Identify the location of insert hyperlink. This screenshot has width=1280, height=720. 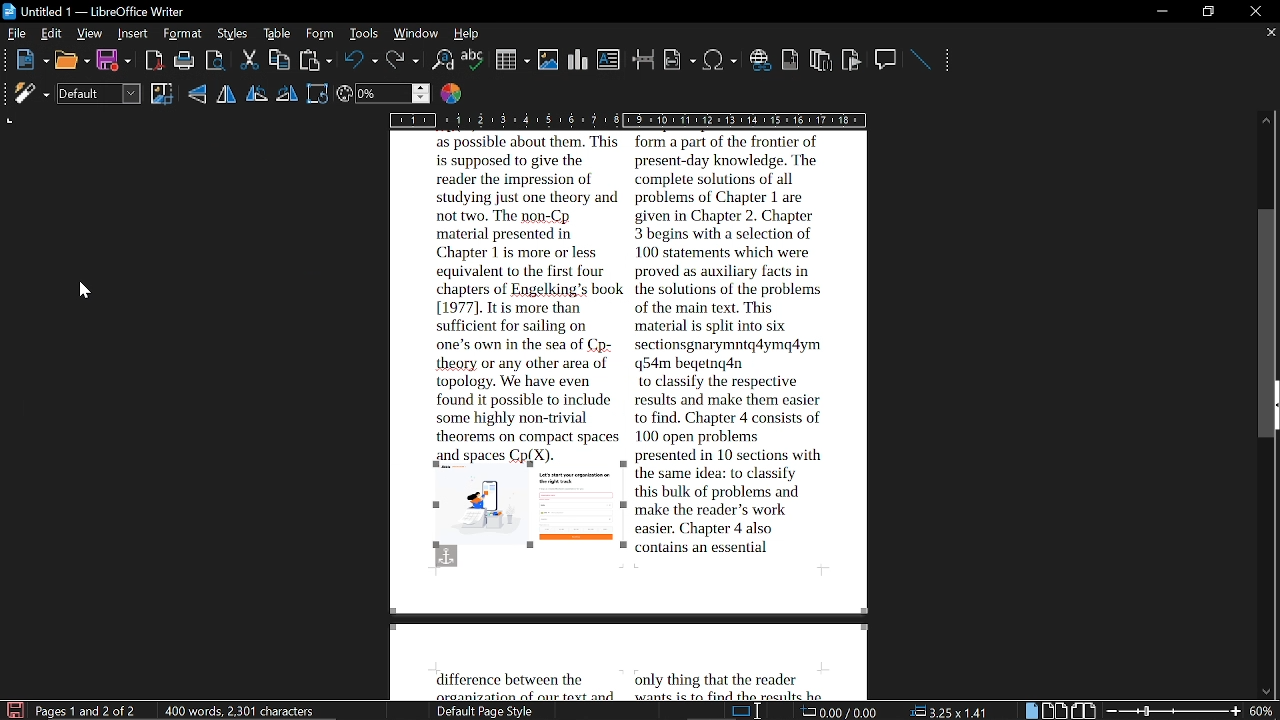
(761, 61).